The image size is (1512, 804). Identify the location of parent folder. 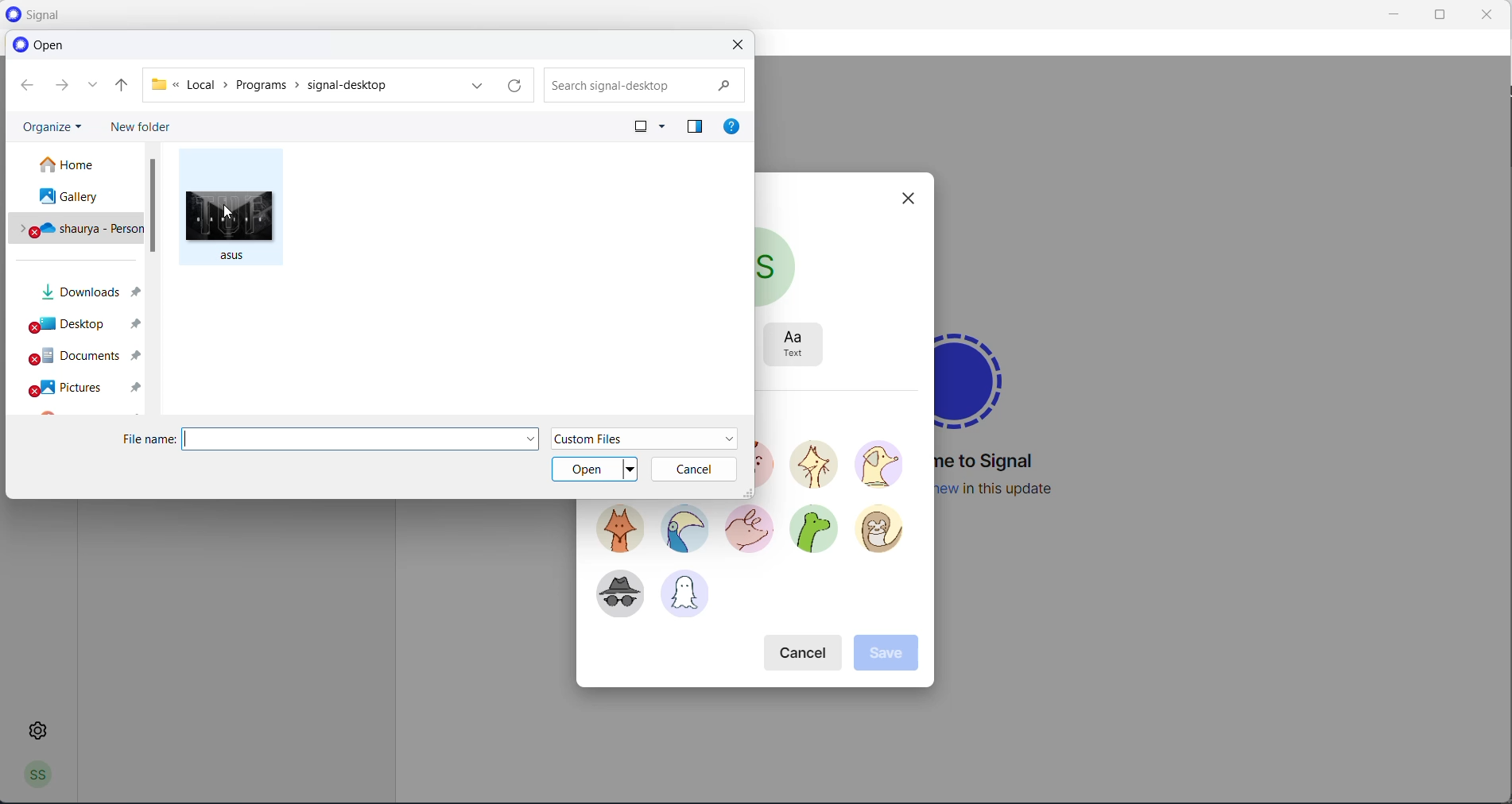
(124, 85).